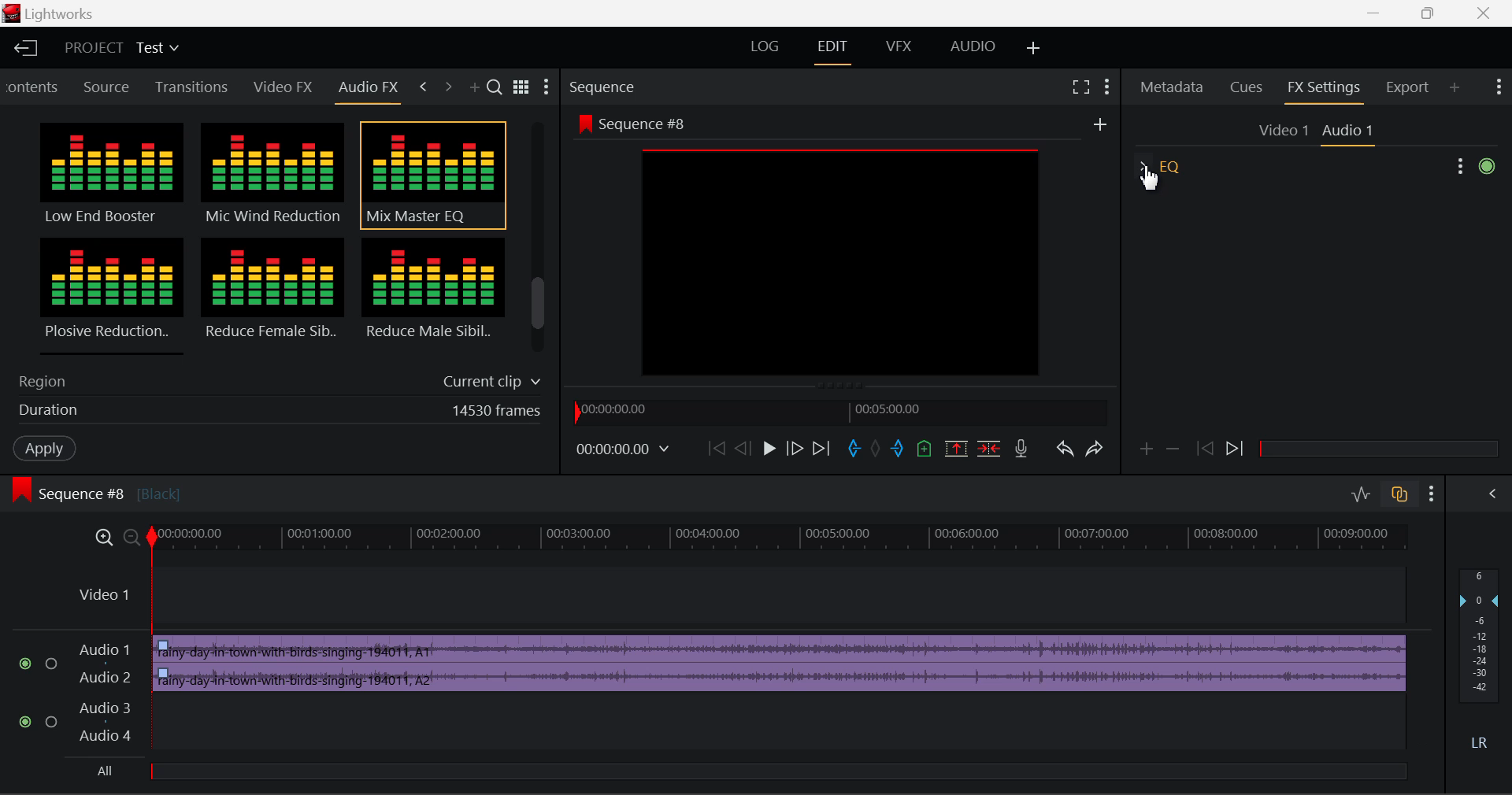 This screenshot has width=1512, height=795. Describe the element at coordinates (621, 449) in the screenshot. I see `Frame Time` at that location.